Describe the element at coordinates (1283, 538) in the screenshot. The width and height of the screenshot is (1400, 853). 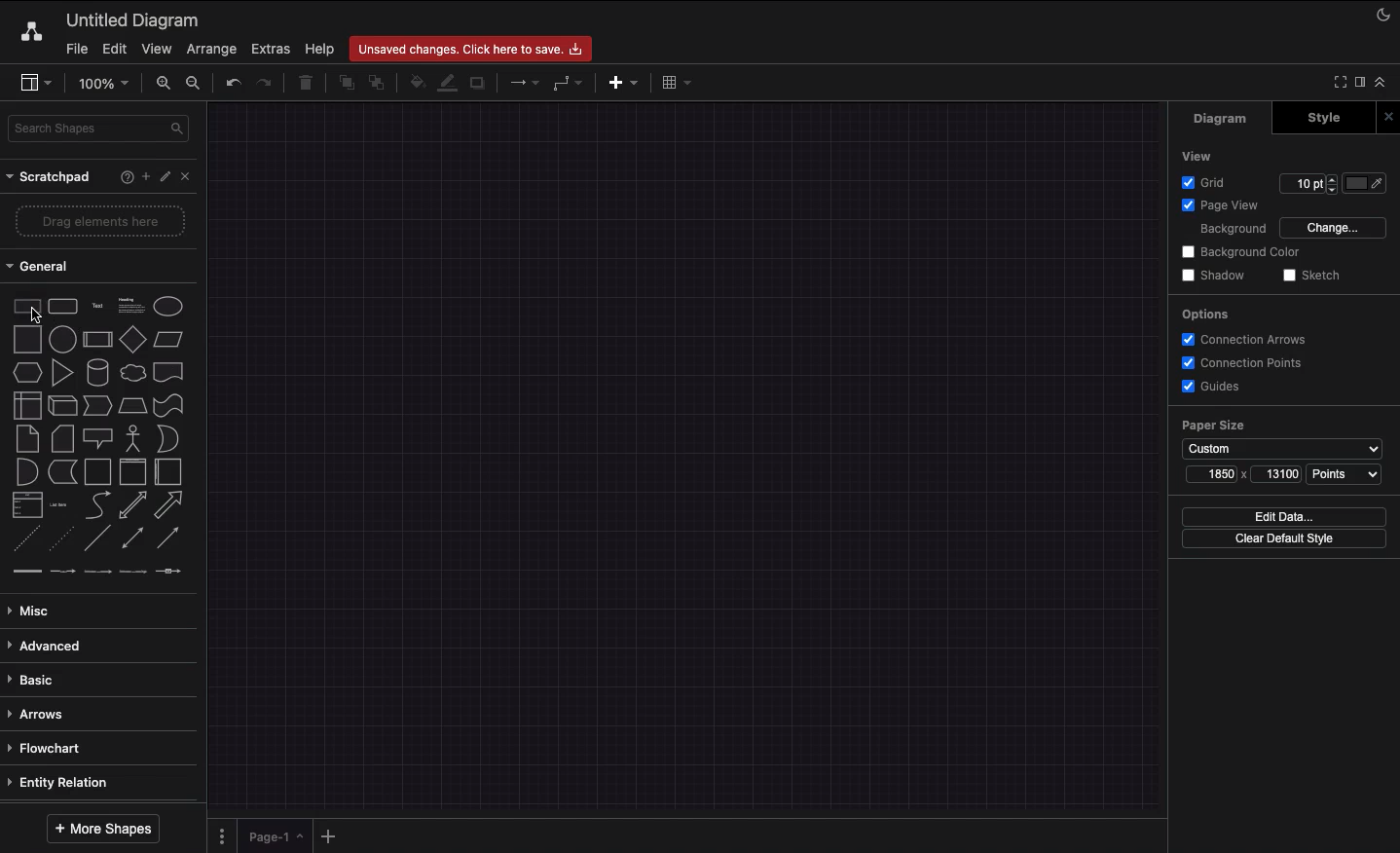
I see `Clear default style` at that location.